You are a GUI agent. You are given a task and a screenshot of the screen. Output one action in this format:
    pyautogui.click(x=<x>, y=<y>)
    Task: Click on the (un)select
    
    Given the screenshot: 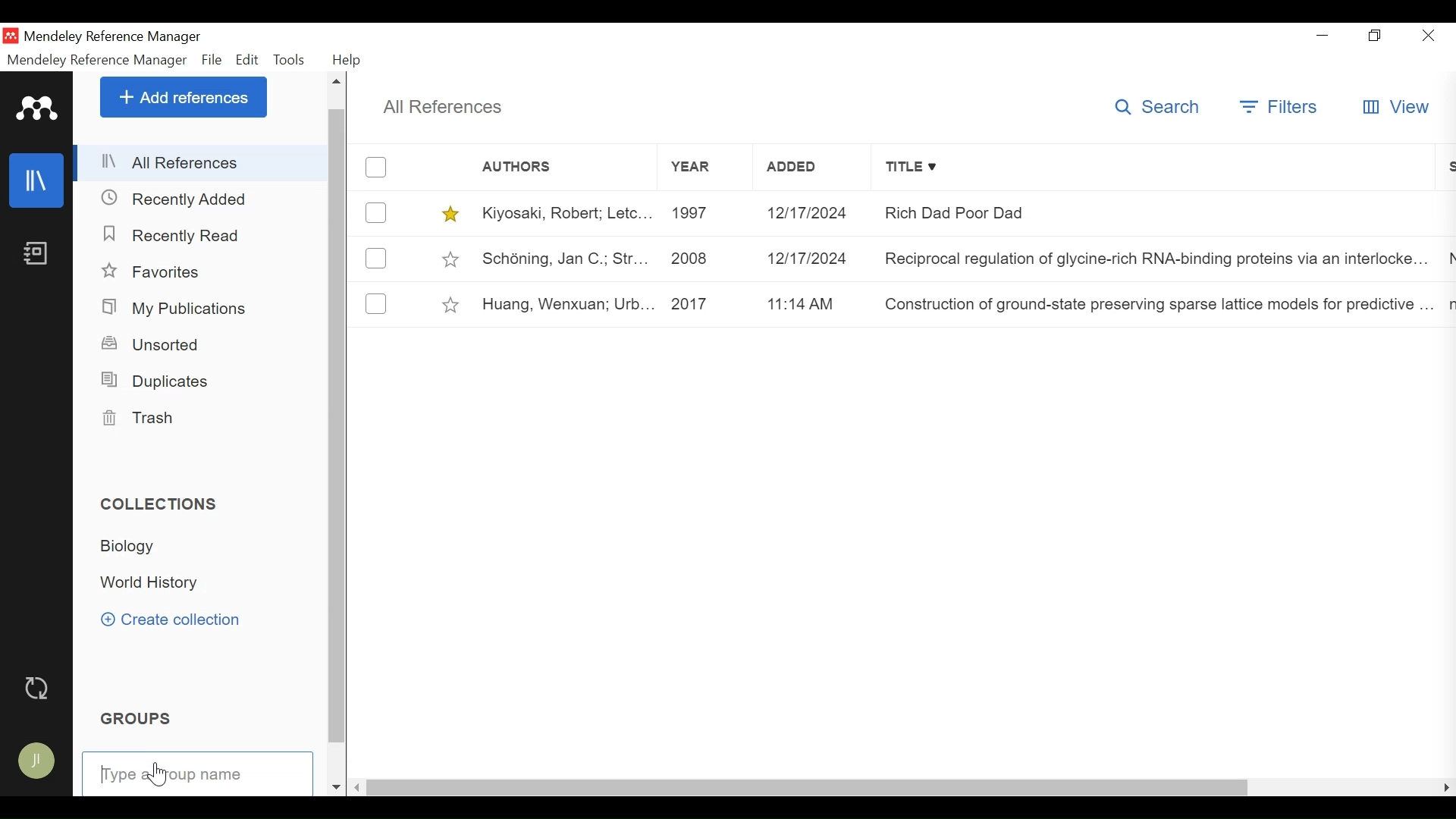 What is the action you would take?
    pyautogui.click(x=378, y=167)
    